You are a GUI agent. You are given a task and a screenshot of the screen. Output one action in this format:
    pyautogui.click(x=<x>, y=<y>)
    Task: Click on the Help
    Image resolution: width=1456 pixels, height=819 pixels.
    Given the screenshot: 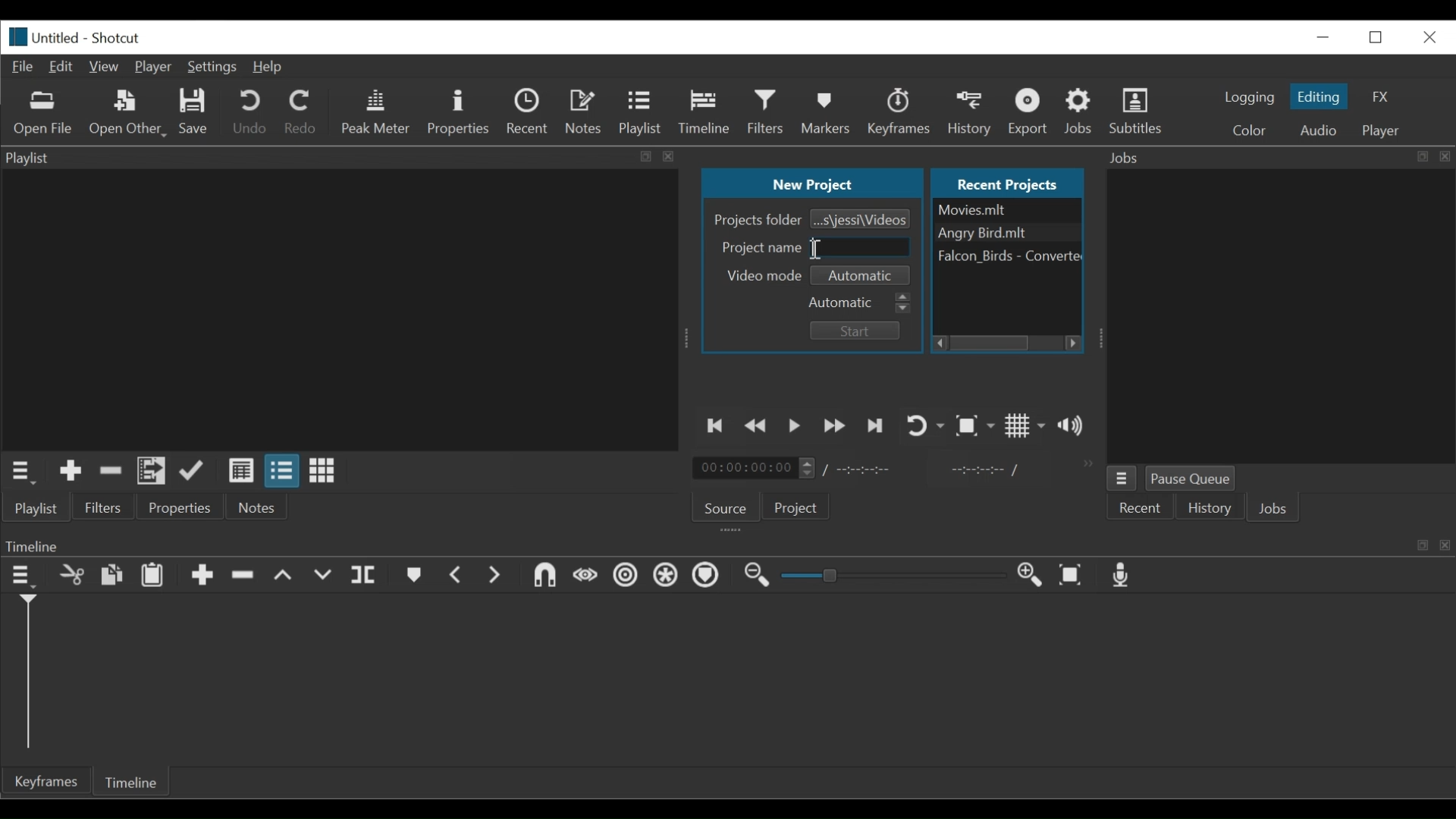 What is the action you would take?
    pyautogui.click(x=275, y=67)
    